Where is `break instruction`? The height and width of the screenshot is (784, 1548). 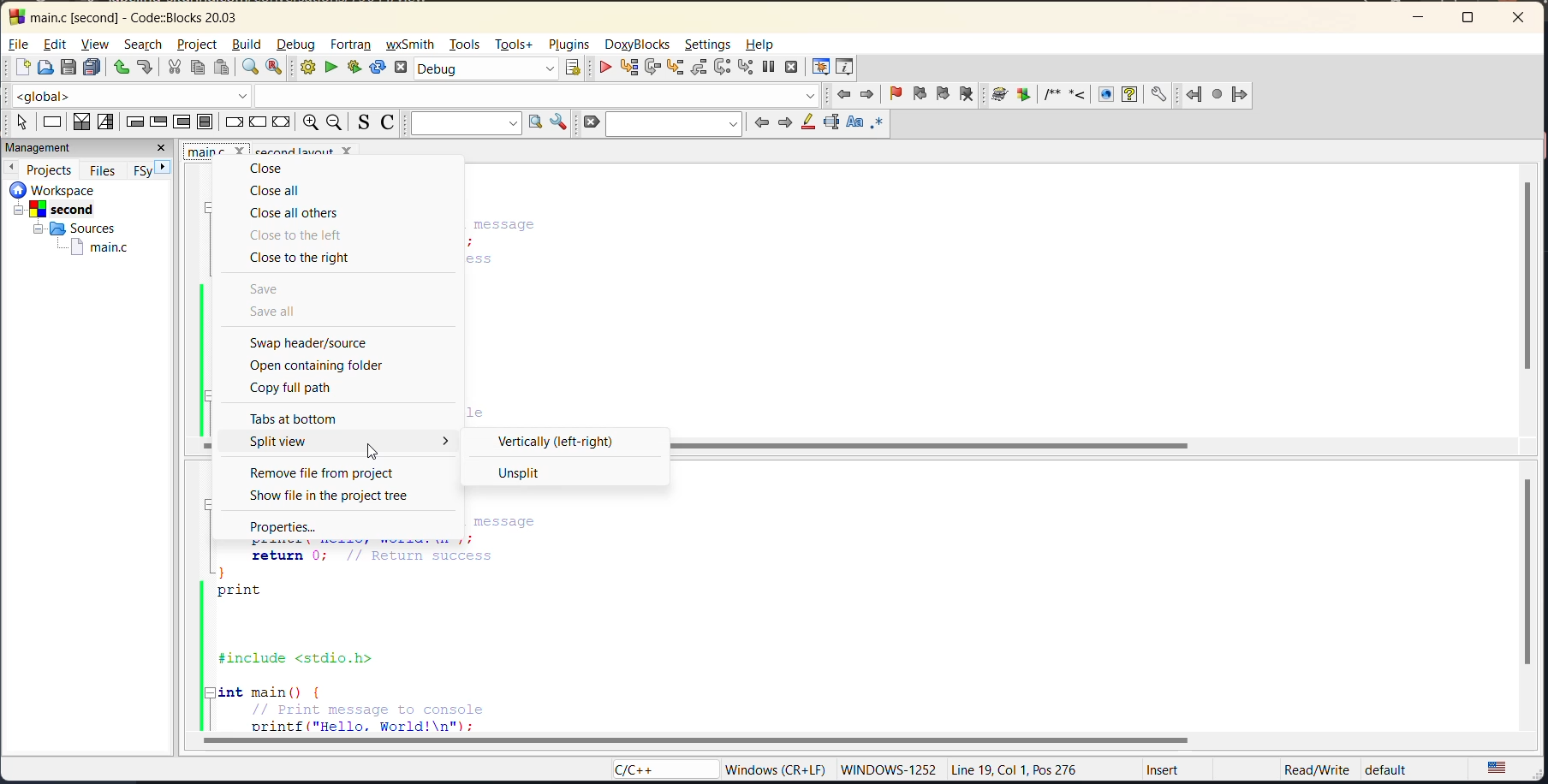
break instruction is located at coordinates (233, 122).